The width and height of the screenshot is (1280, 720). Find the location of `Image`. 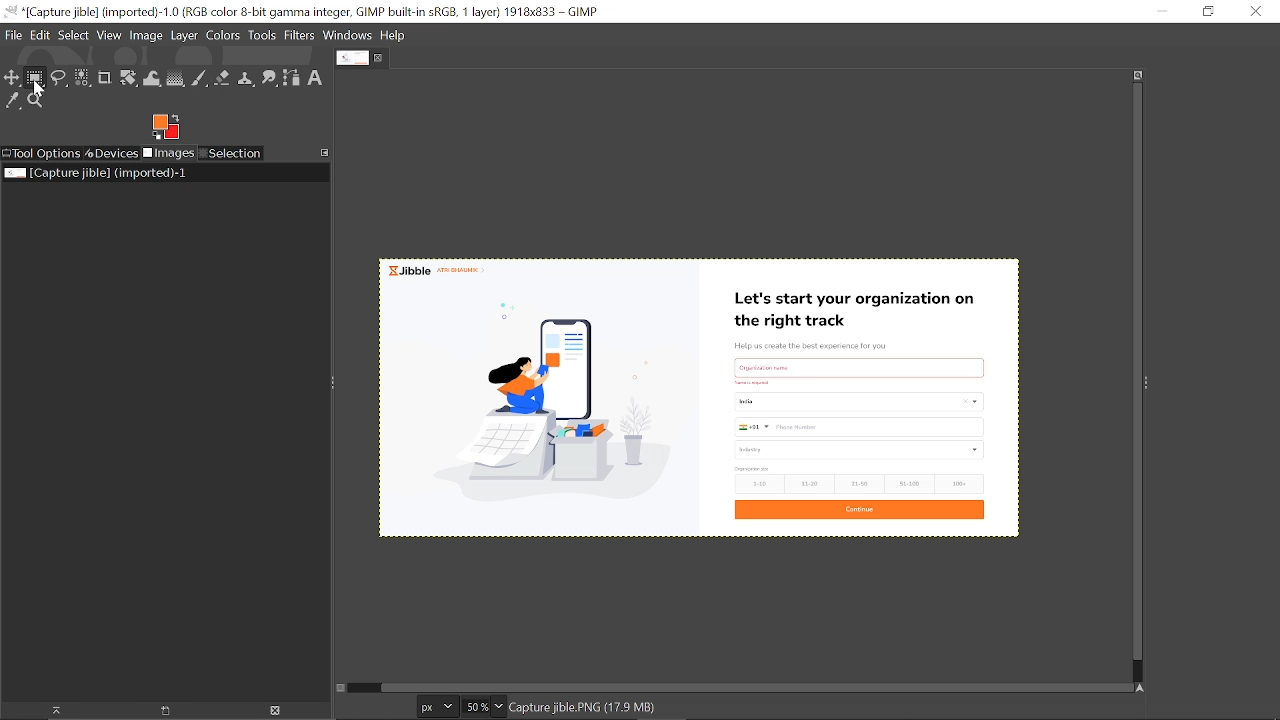

Image is located at coordinates (146, 37).